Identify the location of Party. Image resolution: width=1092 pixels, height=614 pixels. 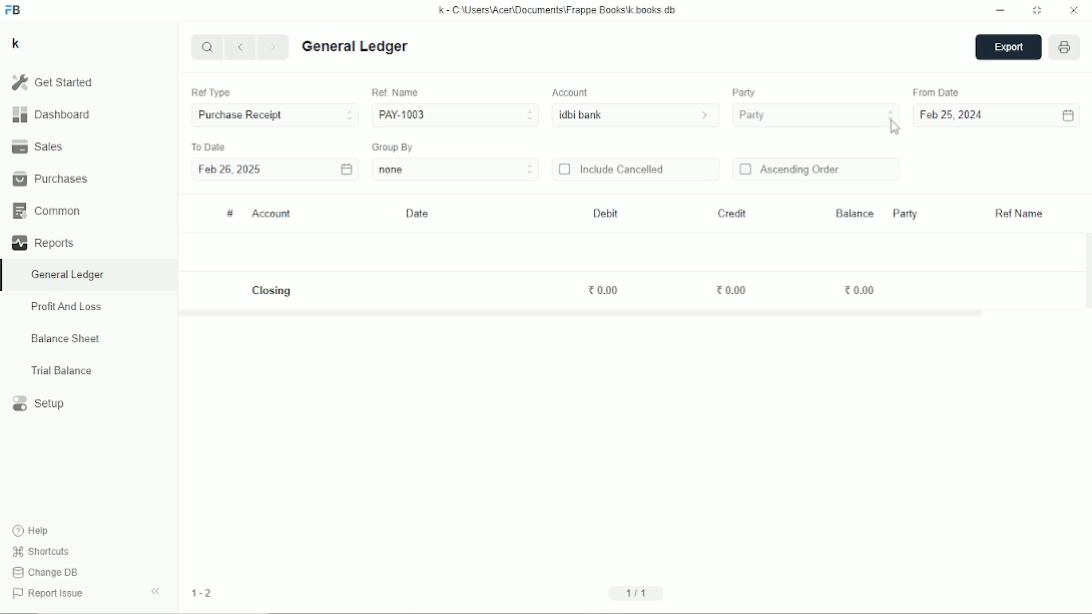
(816, 116).